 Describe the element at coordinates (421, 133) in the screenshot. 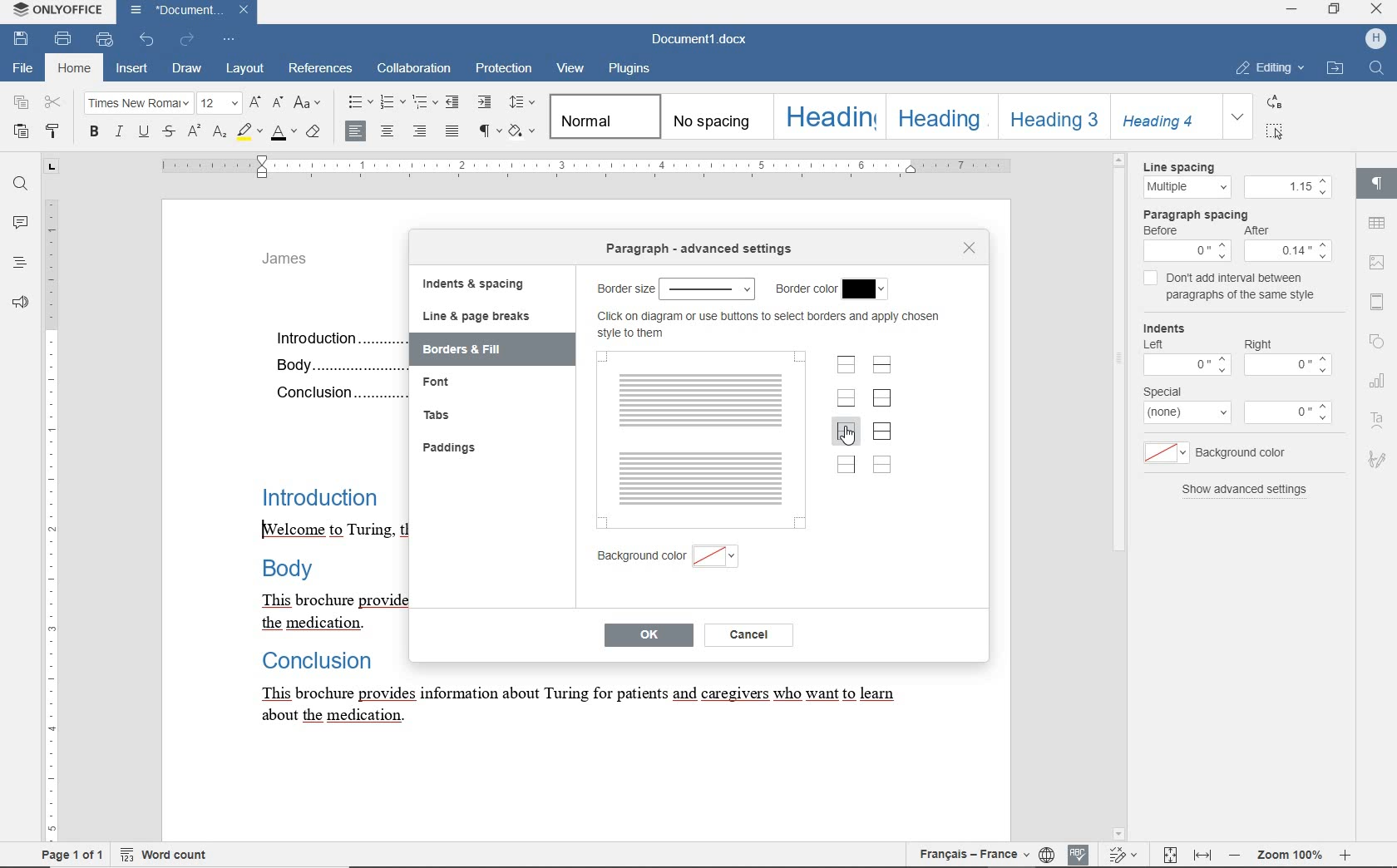

I see `align right` at that location.